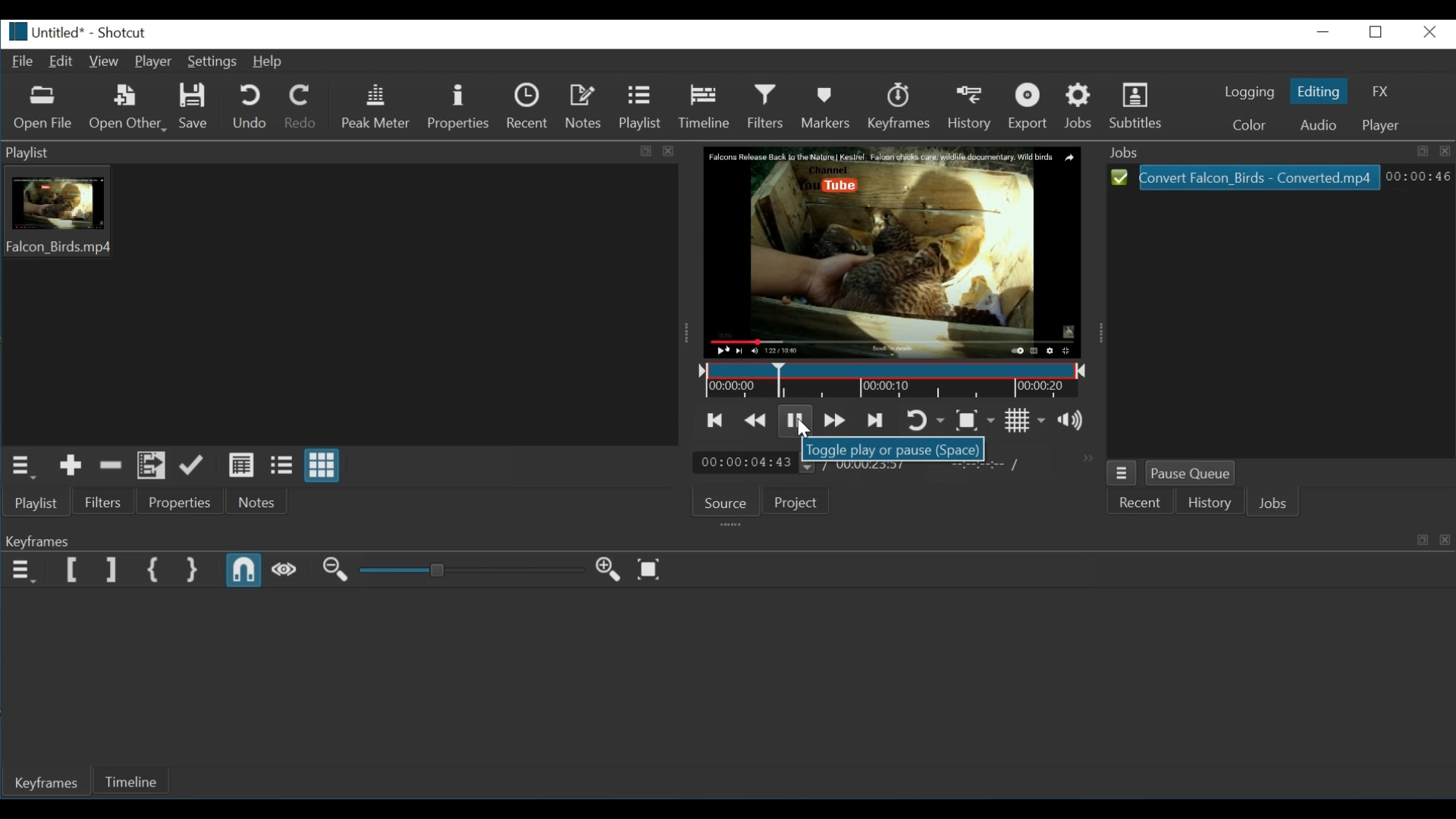  Describe the element at coordinates (526, 105) in the screenshot. I see `Recent` at that location.